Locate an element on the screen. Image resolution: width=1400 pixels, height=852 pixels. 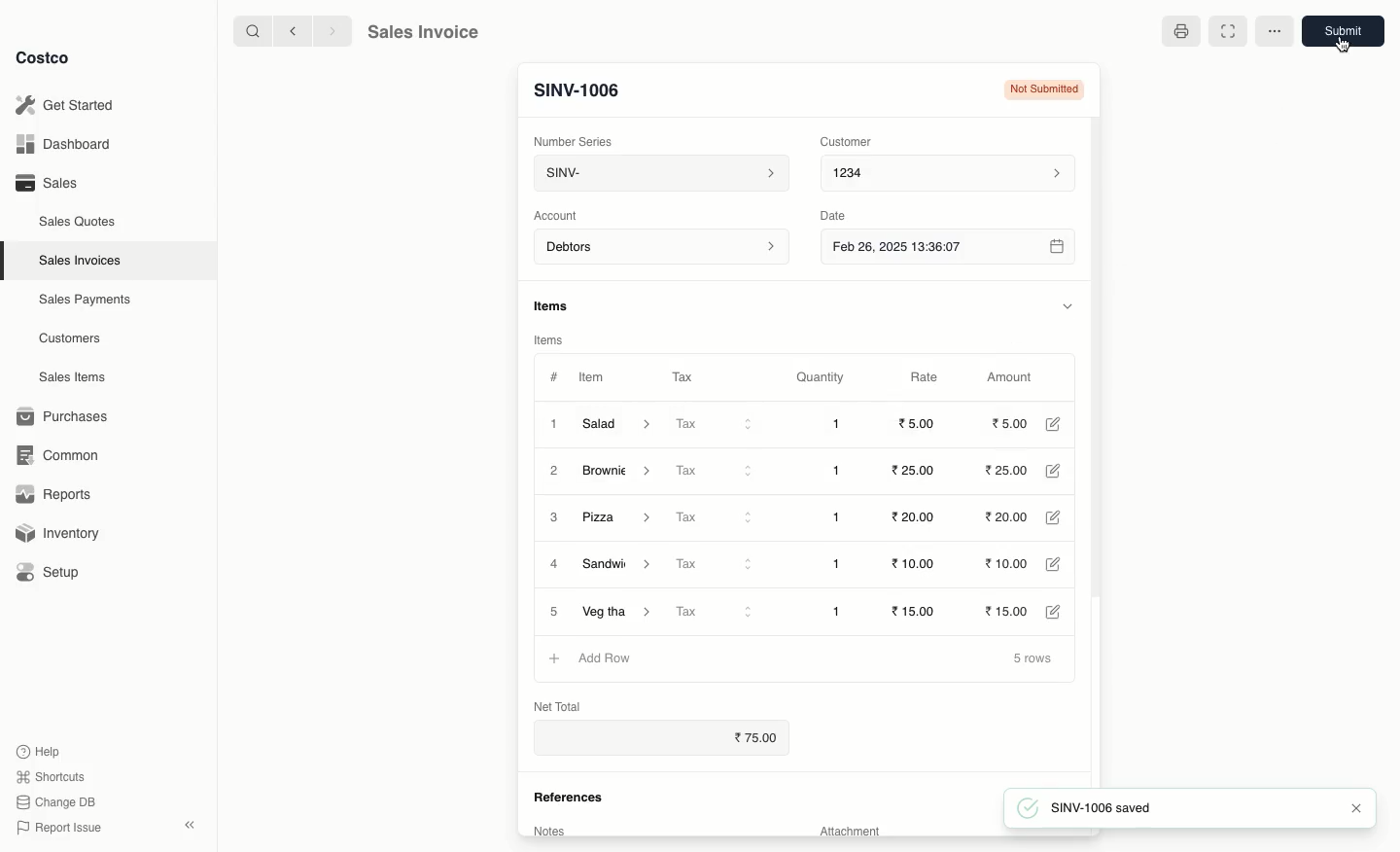
3 is located at coordinates (555, 517).